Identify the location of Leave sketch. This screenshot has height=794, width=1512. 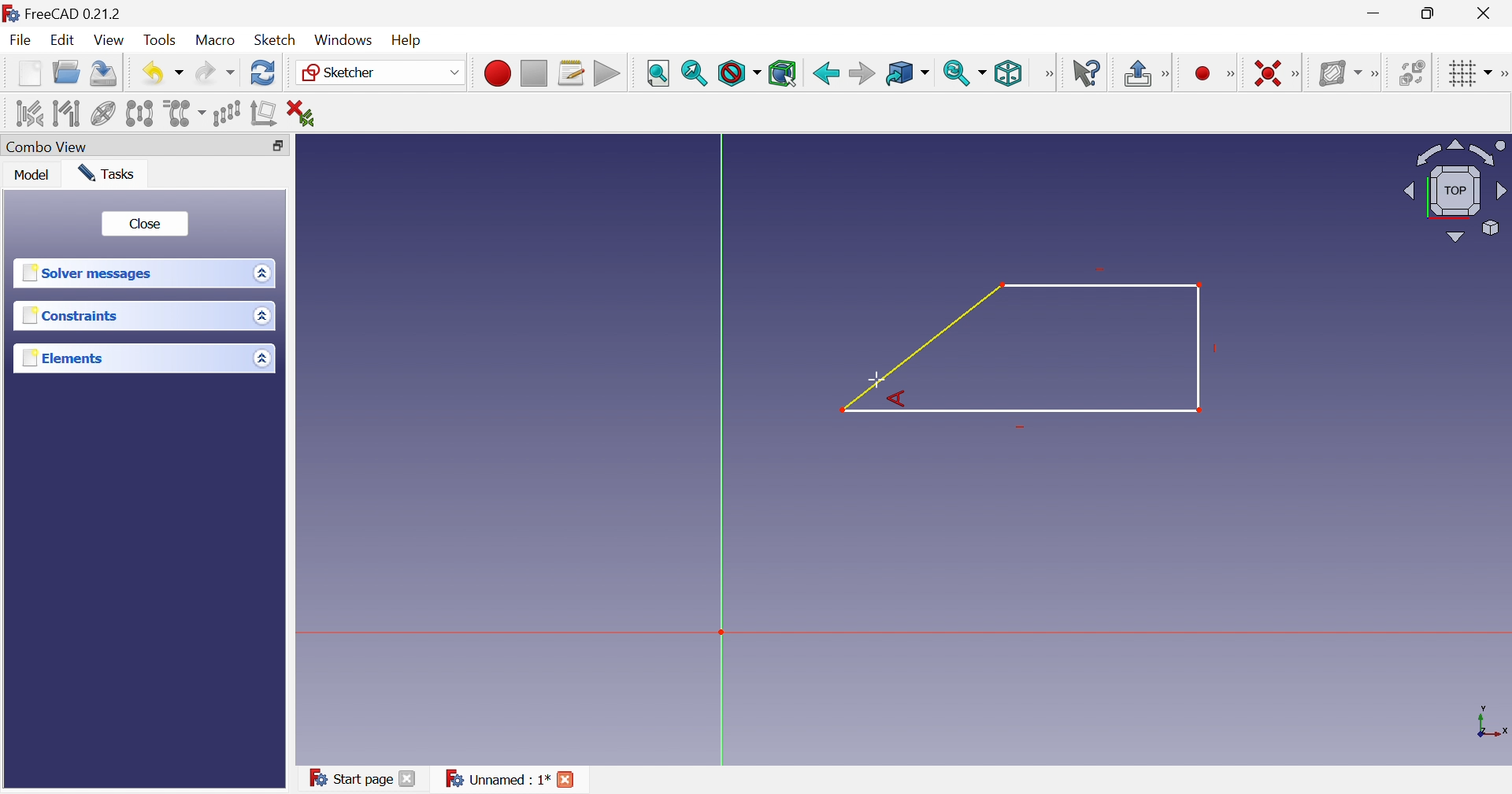
(1136, 75).